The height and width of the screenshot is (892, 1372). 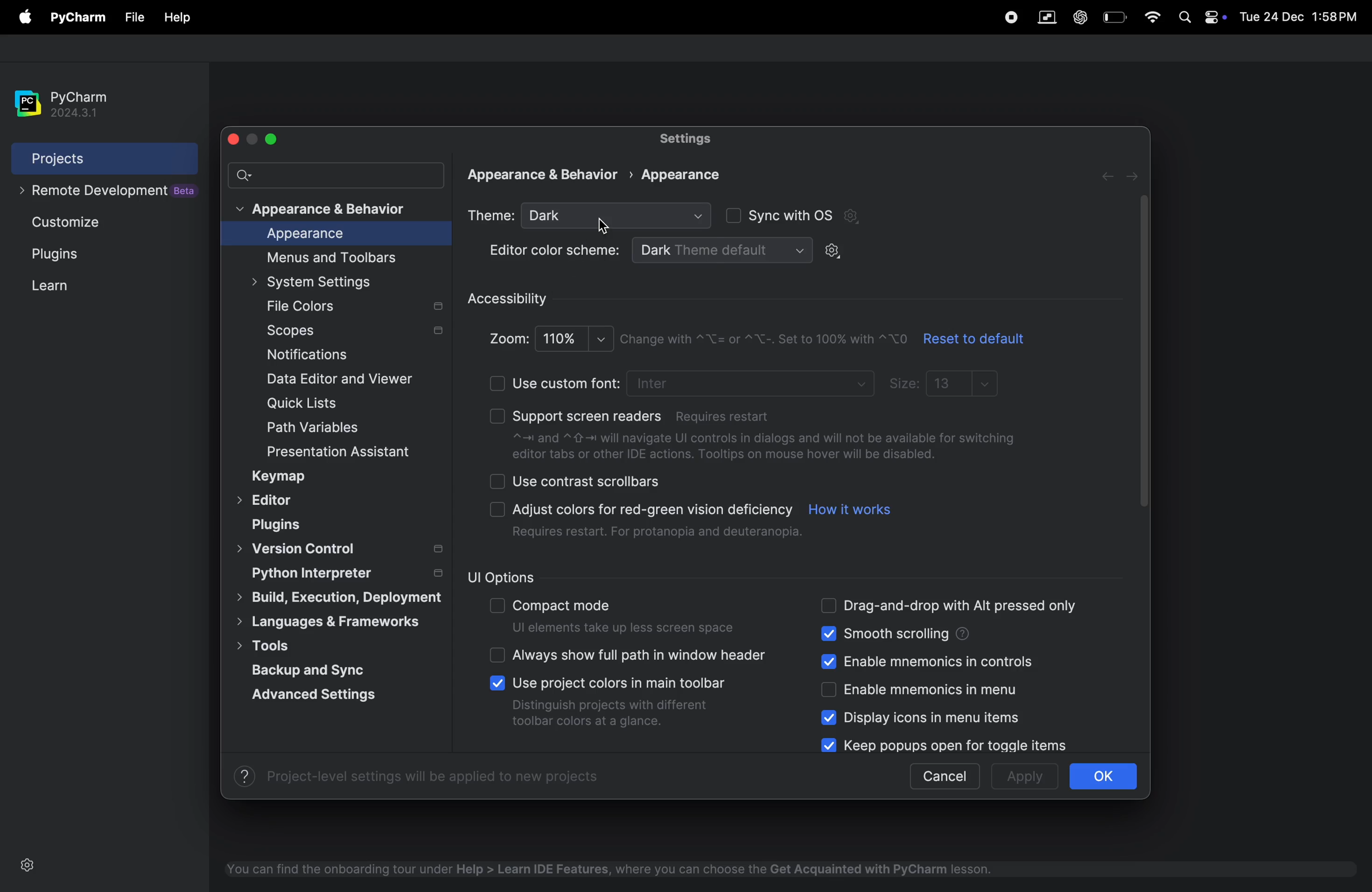 I want to click on menus and toolbars, so click(x=335, y=259).